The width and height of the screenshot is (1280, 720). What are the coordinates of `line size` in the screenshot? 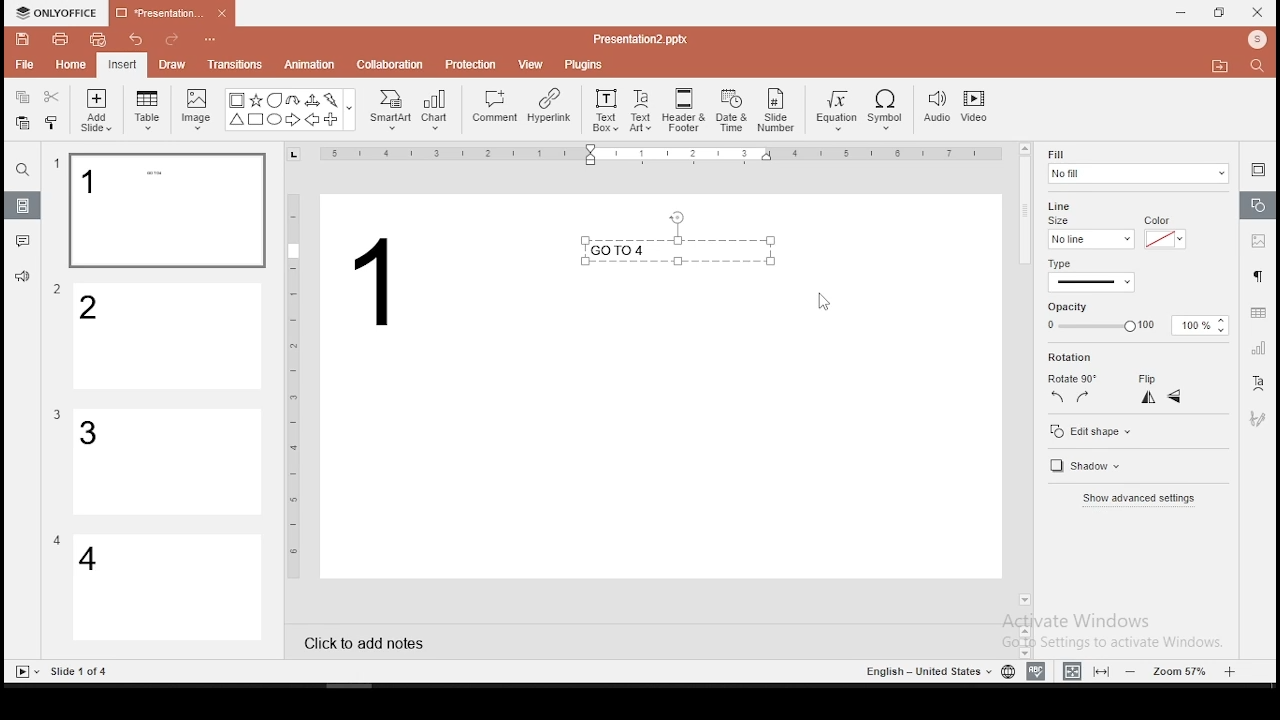 It's located at (1090, 238).